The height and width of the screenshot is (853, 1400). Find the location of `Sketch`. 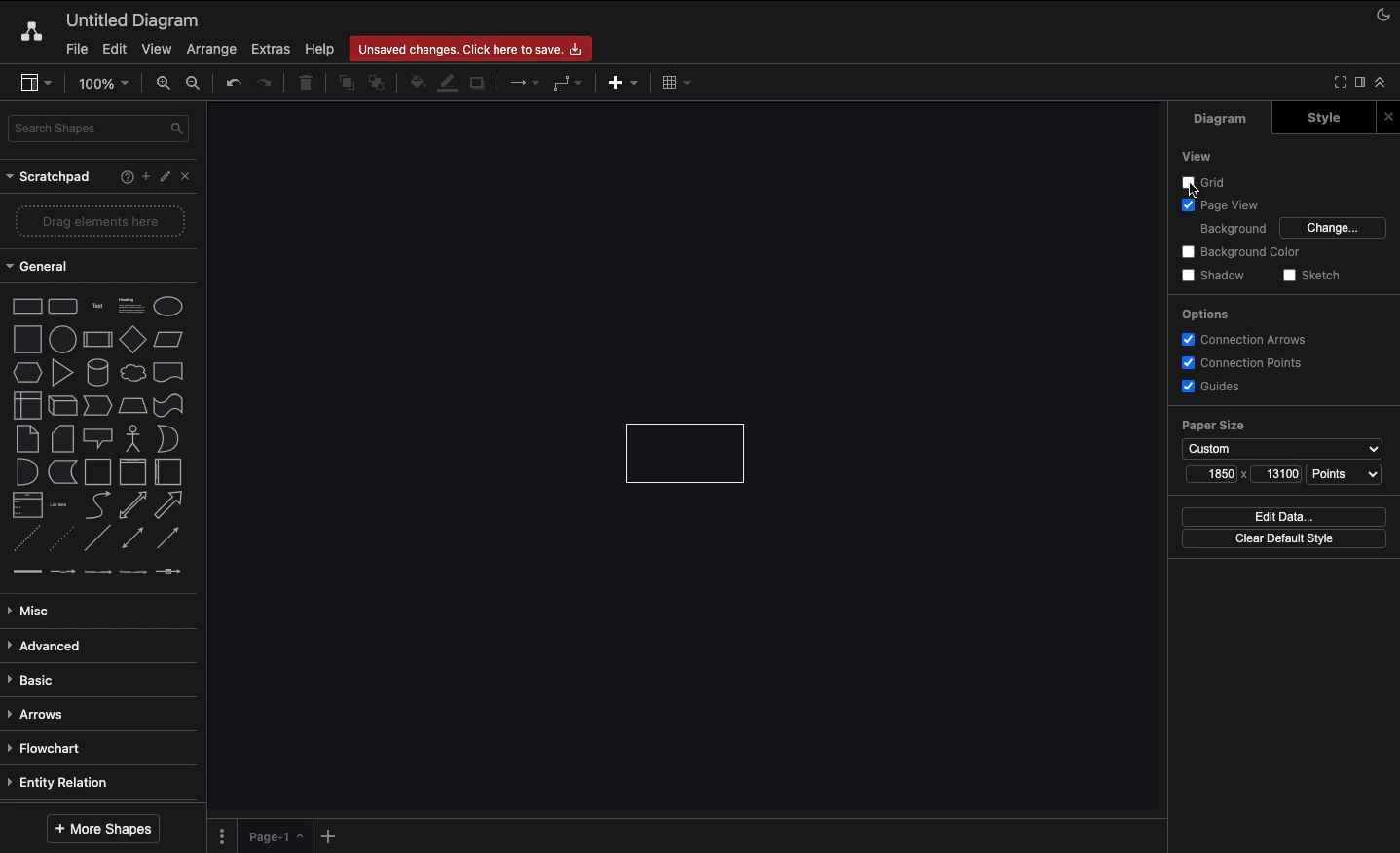

Sketch is located at coordinates (1313, 278).